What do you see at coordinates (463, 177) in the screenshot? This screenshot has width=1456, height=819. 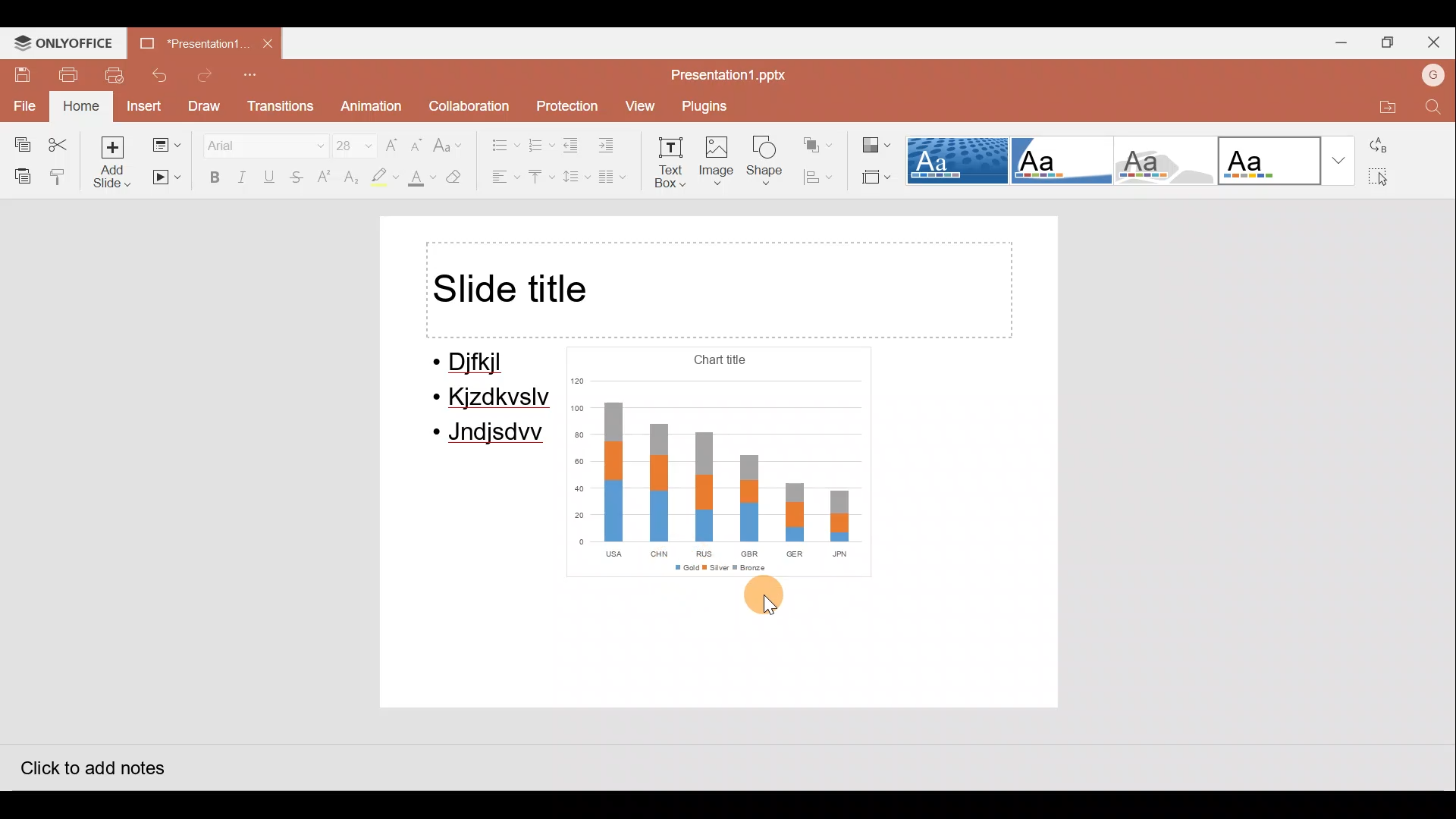 I see `Clear style` at bounding box center [463, 177].